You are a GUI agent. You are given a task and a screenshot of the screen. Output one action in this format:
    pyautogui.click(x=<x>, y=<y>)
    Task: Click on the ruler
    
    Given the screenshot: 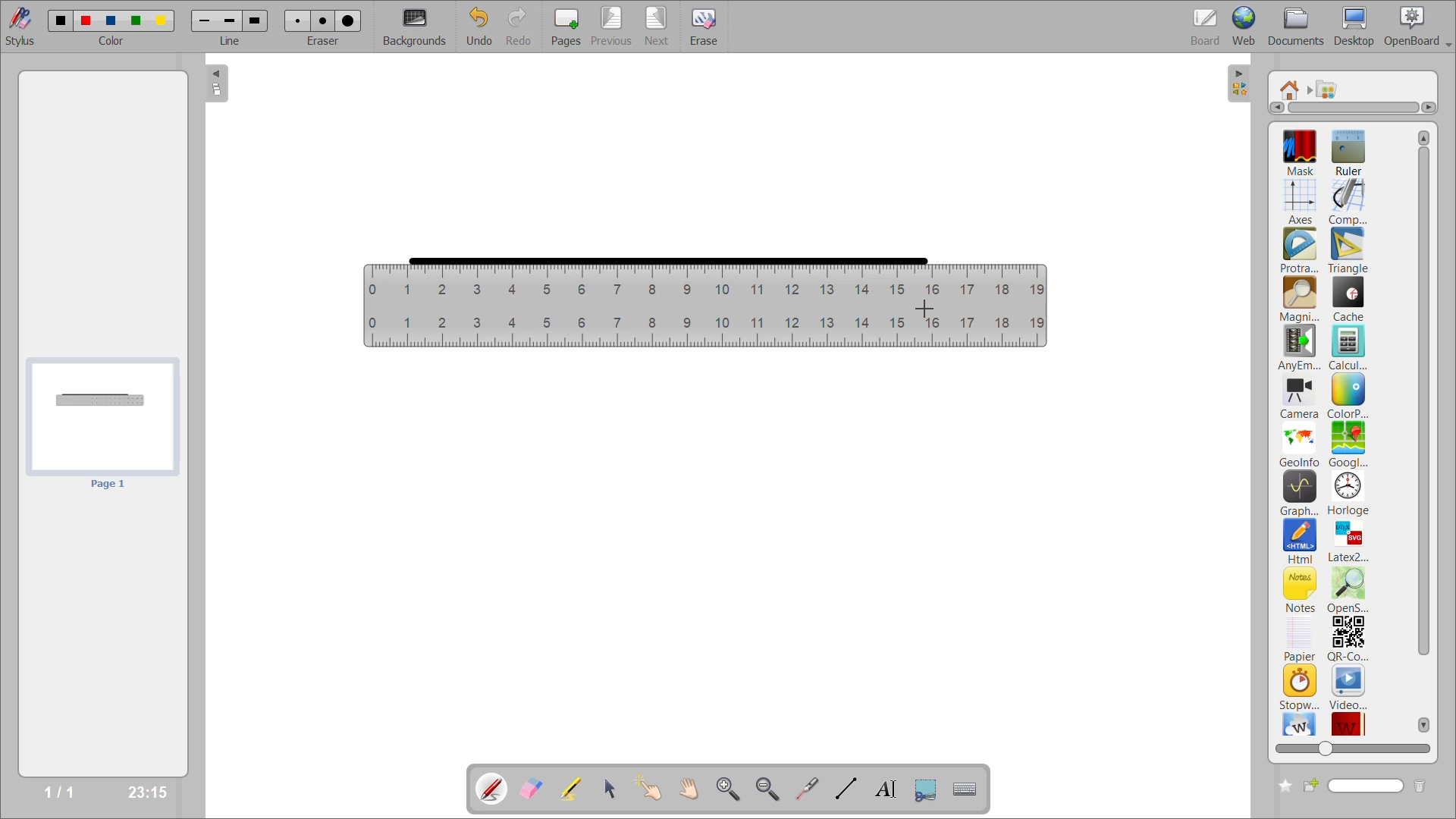 What is the action you would take?
    pyautogui.click(x=710, y=308)
    